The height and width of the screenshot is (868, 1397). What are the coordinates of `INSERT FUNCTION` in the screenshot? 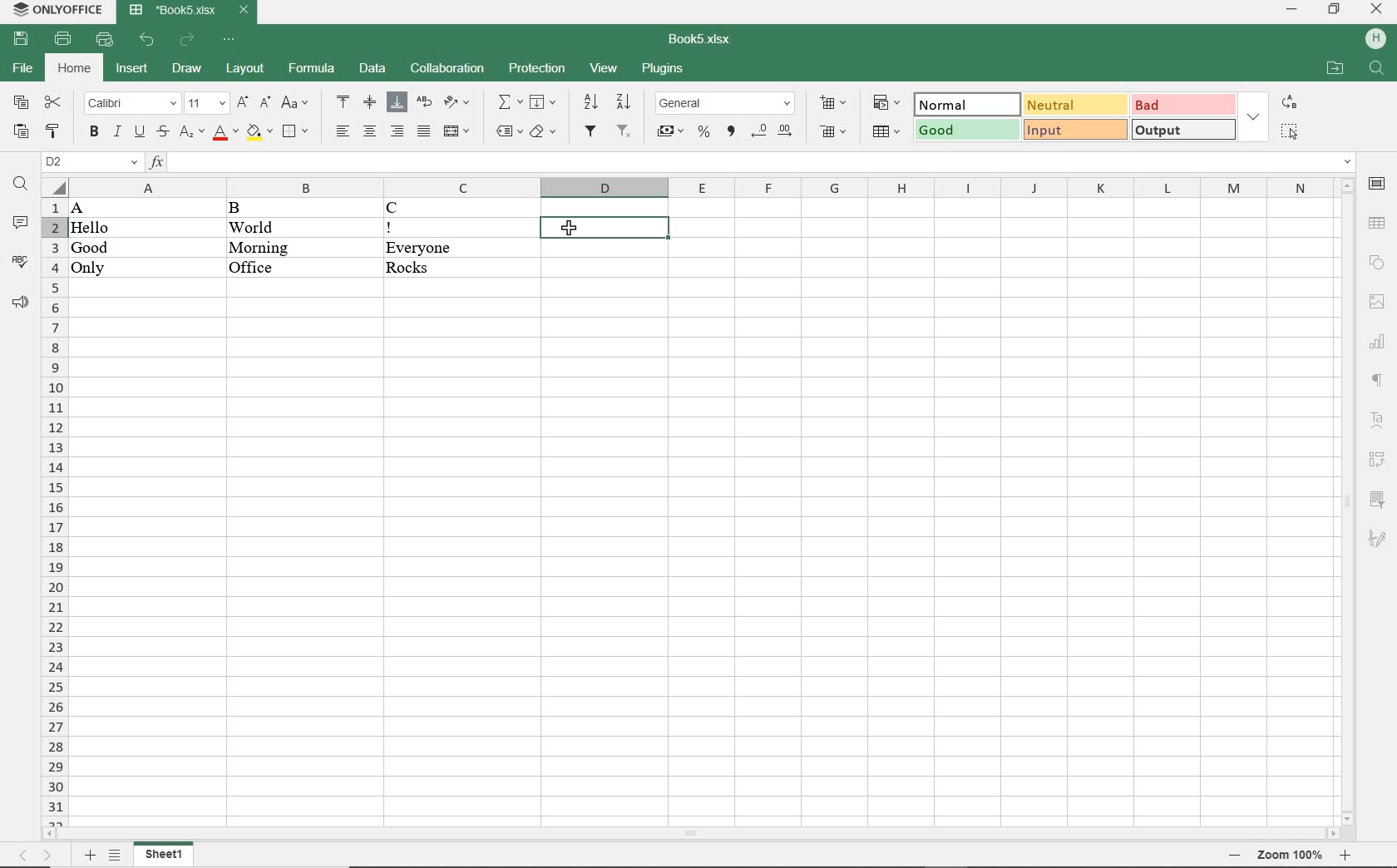 It's located at (508, 104).